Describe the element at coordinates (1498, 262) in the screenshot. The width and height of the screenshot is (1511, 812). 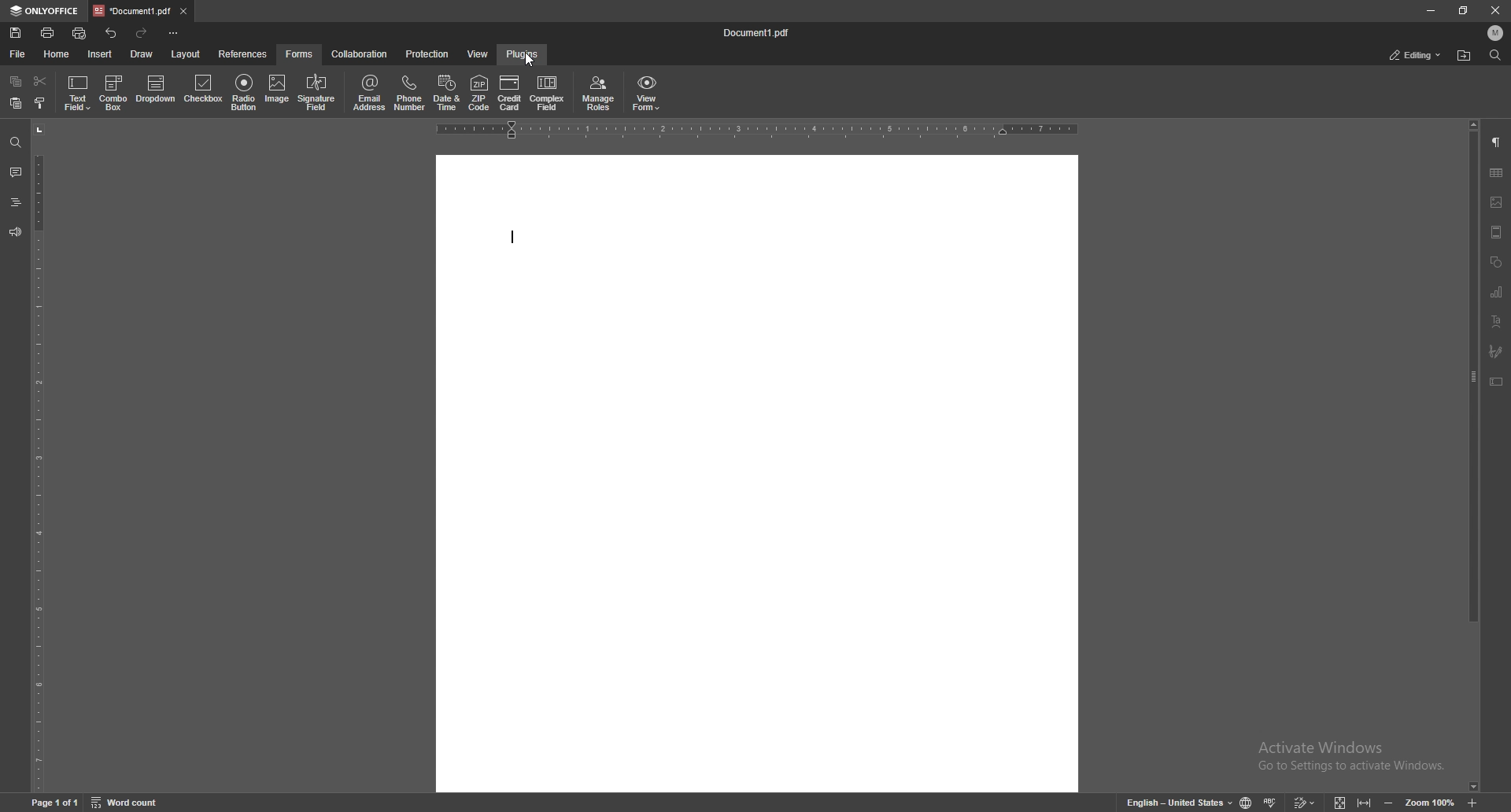
I see `shapes` at that location.